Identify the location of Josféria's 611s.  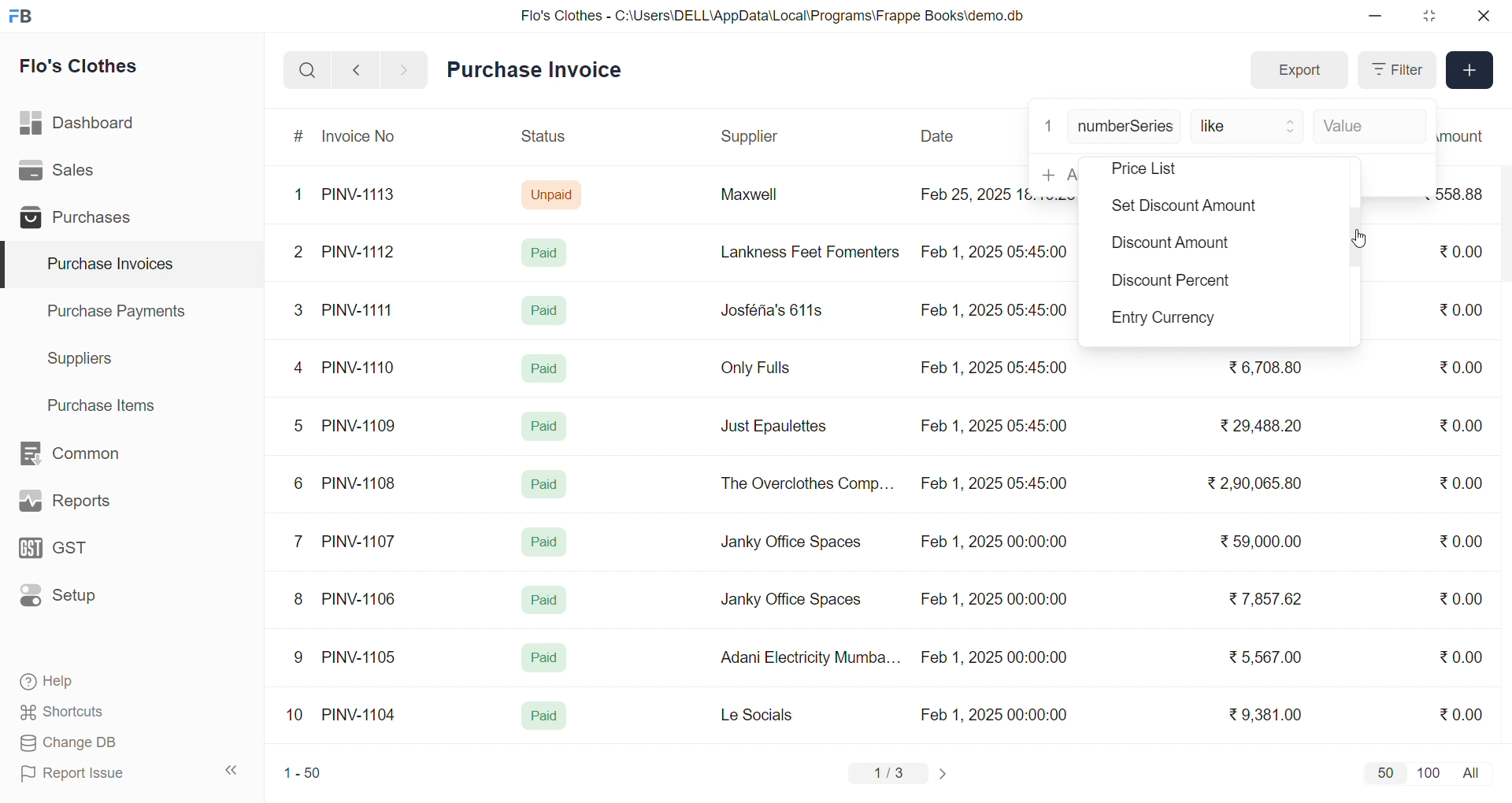
(769, 308).